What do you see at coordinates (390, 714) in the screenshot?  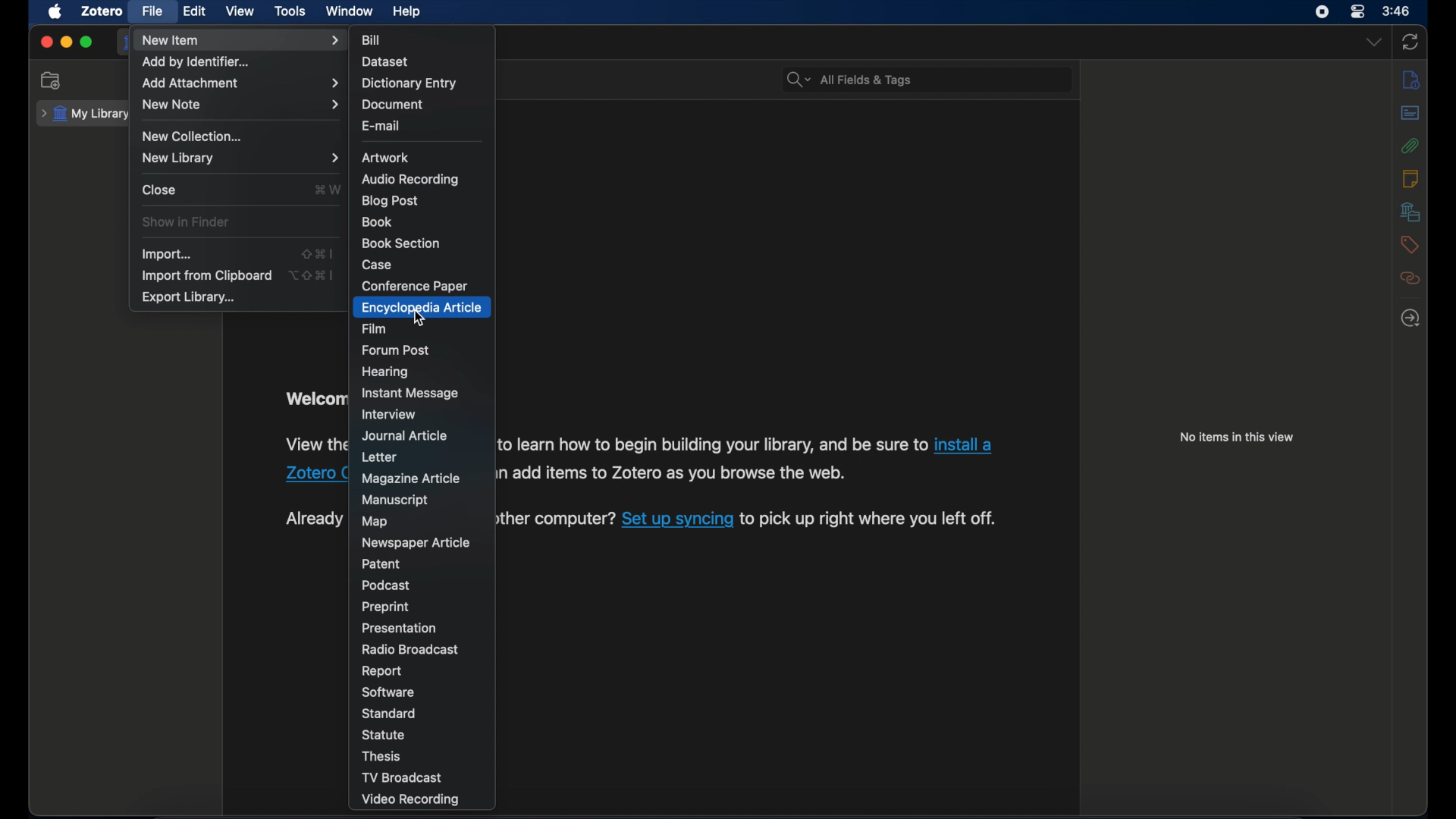 I see `standard` at bounding box center [390, 714].